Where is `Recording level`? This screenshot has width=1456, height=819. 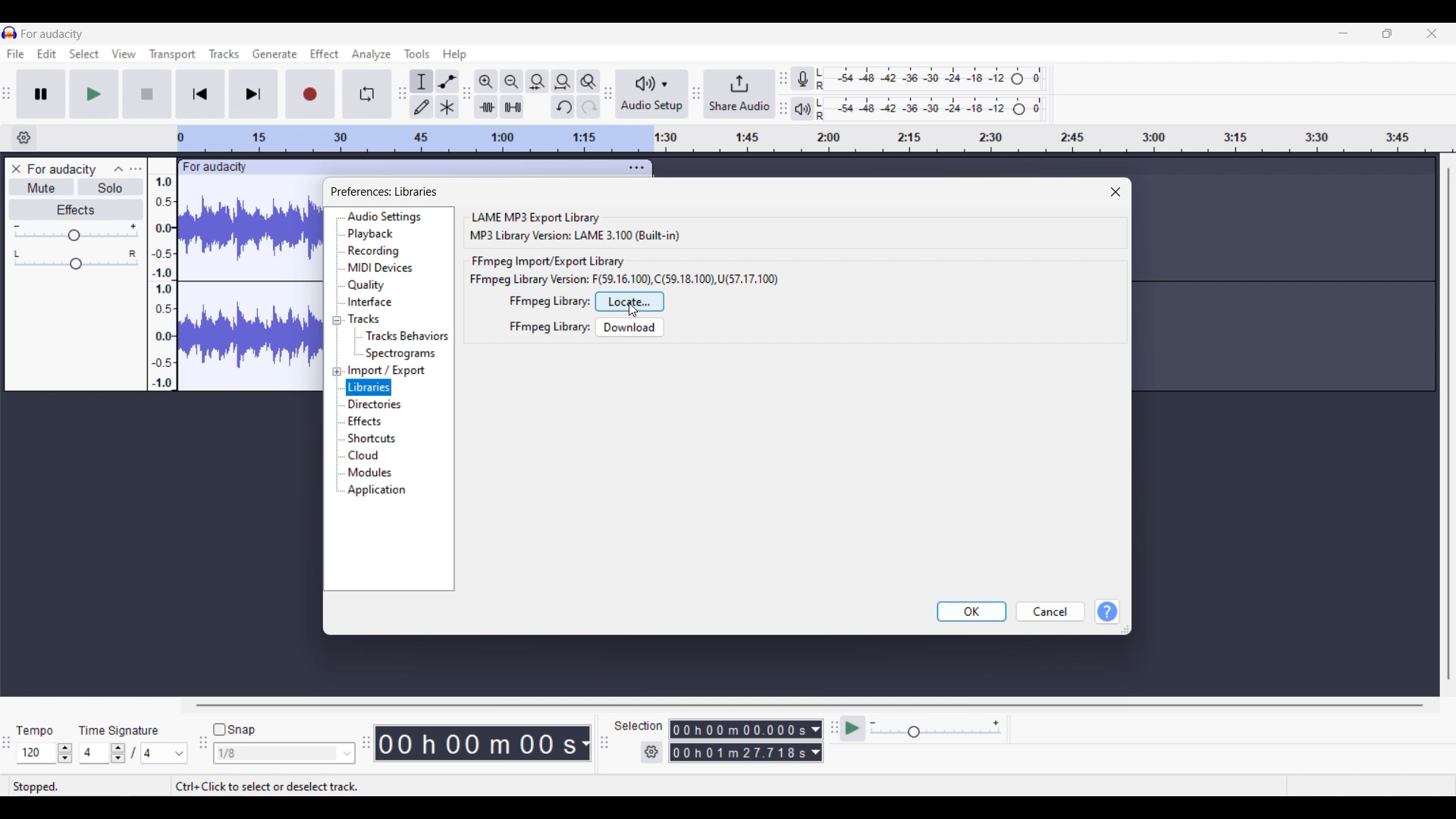
Recording level is located at coordinates (930, 79).